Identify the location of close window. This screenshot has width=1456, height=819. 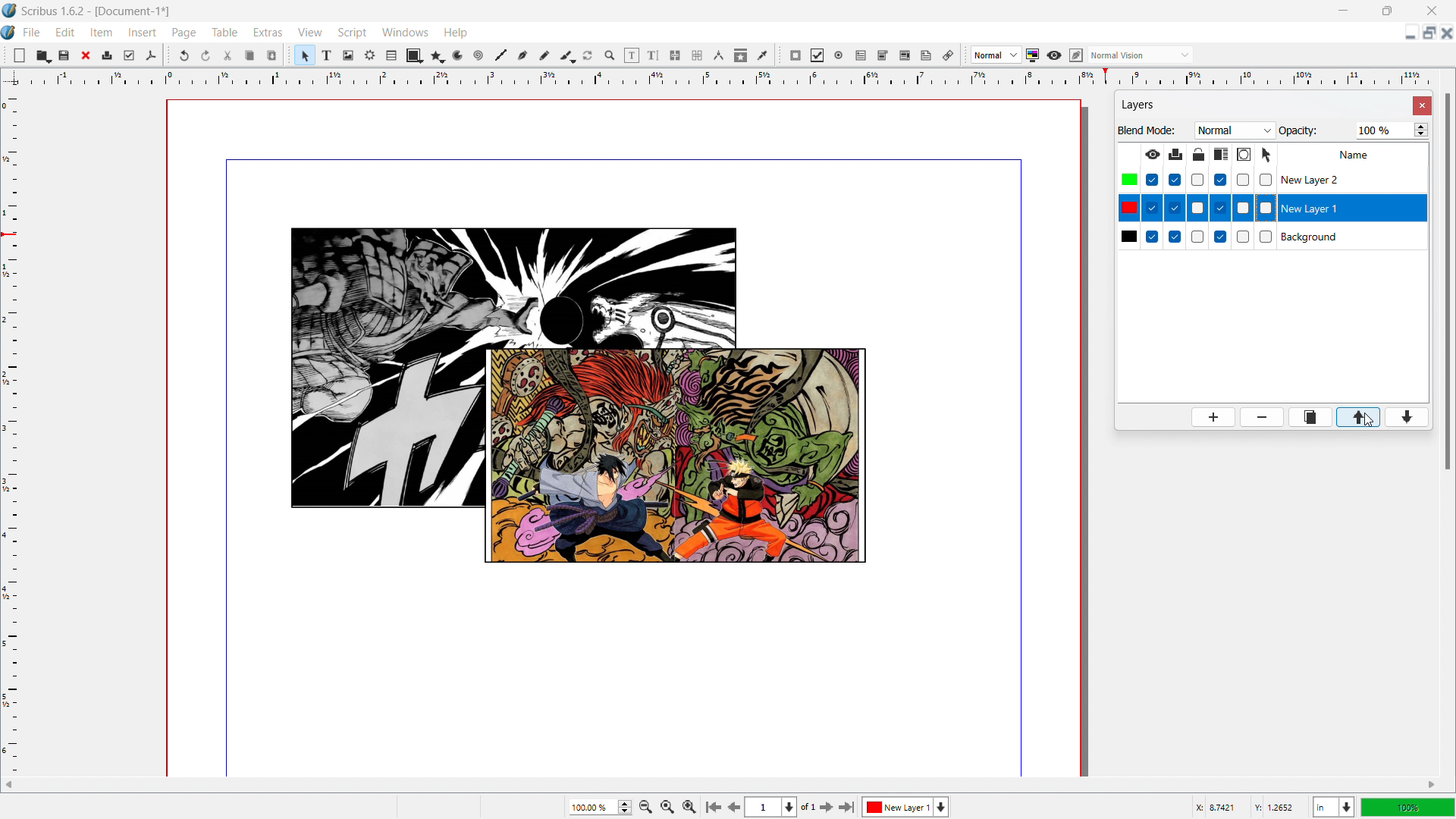
(1432, 11).